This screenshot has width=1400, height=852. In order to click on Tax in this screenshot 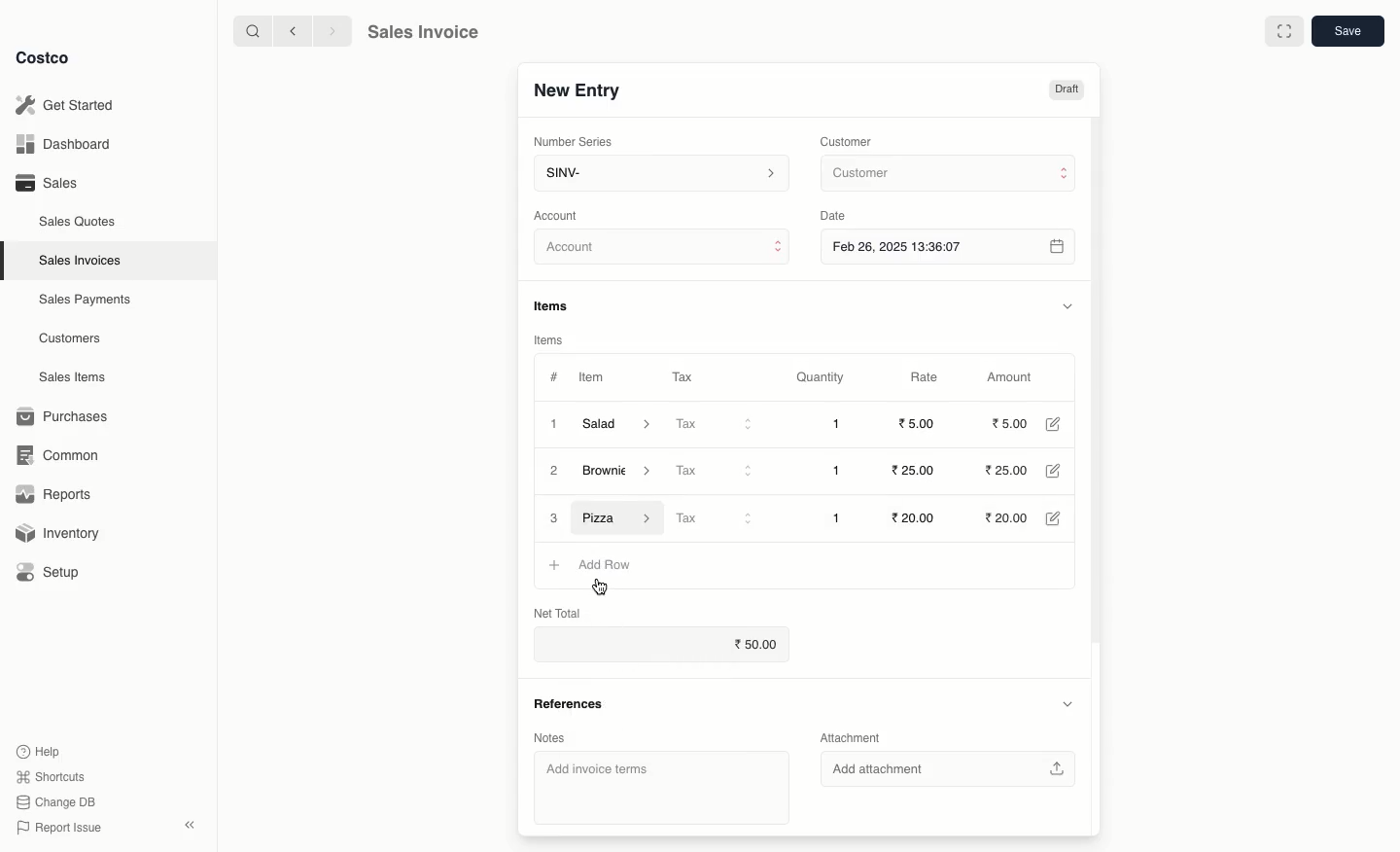, I will do `click(713, 470)`.